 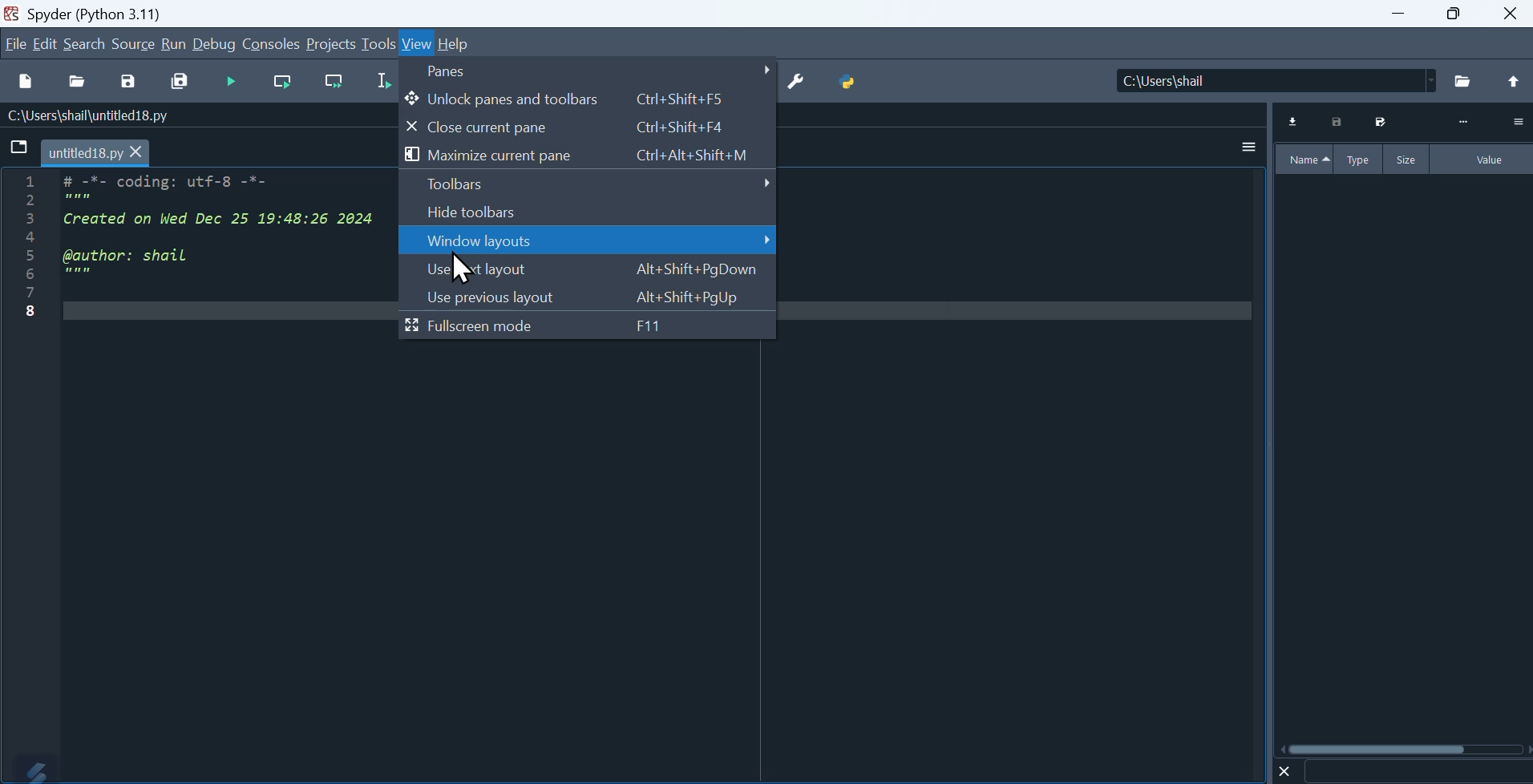 I want to click on cursor, so click(x=462, y=259).